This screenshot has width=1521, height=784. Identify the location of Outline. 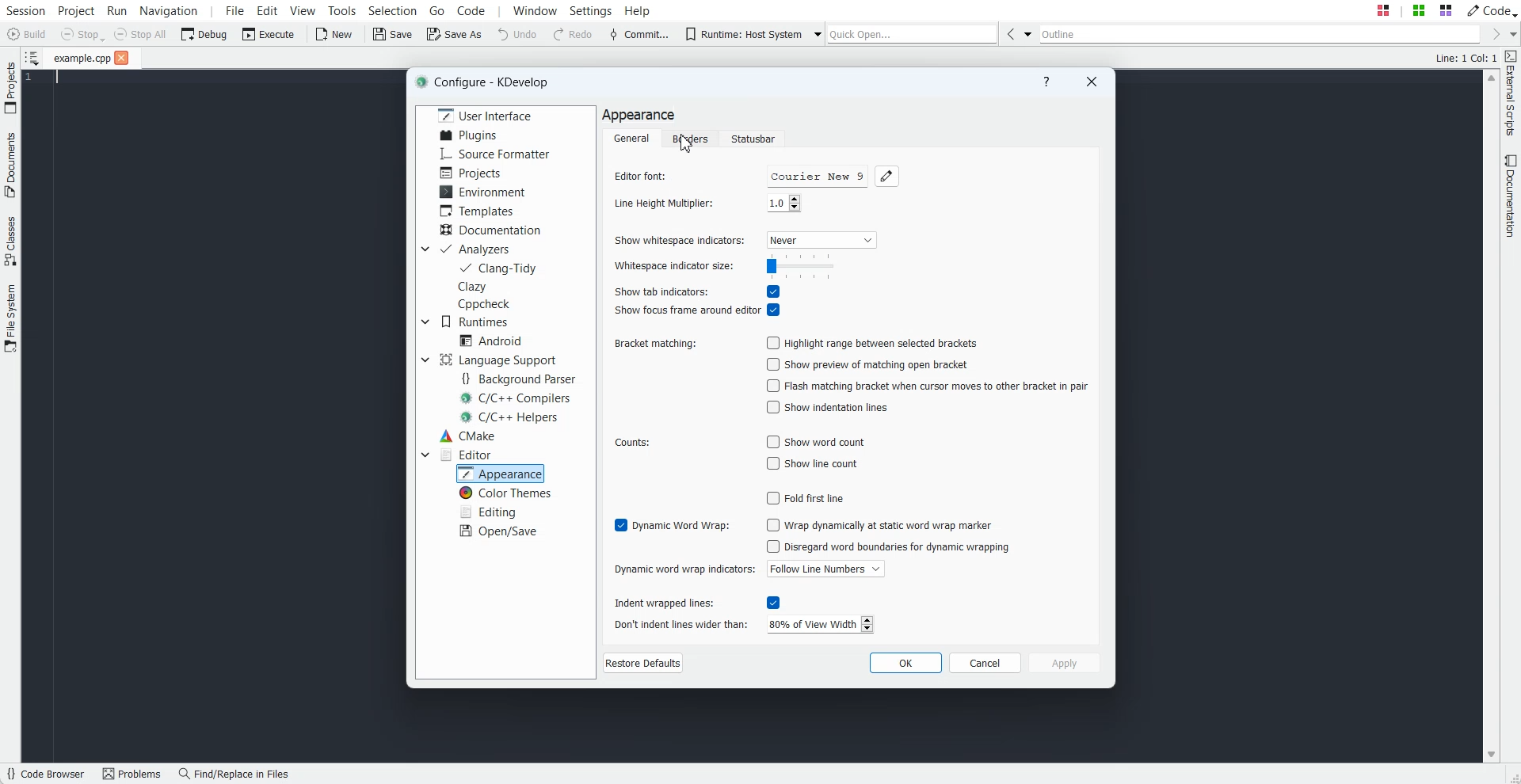
(1259, 33).